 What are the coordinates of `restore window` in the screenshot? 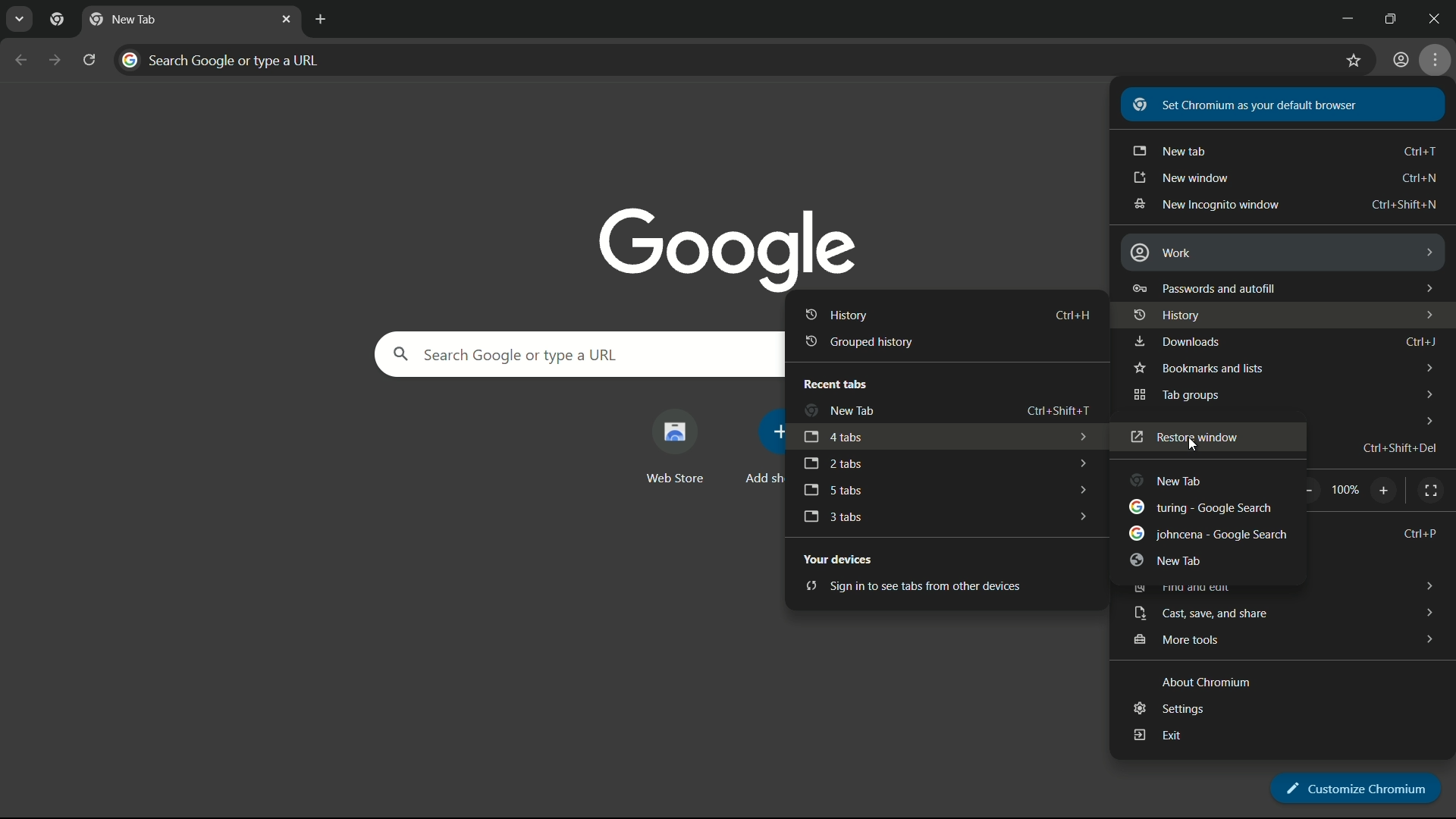 It's located at (1182, 438).